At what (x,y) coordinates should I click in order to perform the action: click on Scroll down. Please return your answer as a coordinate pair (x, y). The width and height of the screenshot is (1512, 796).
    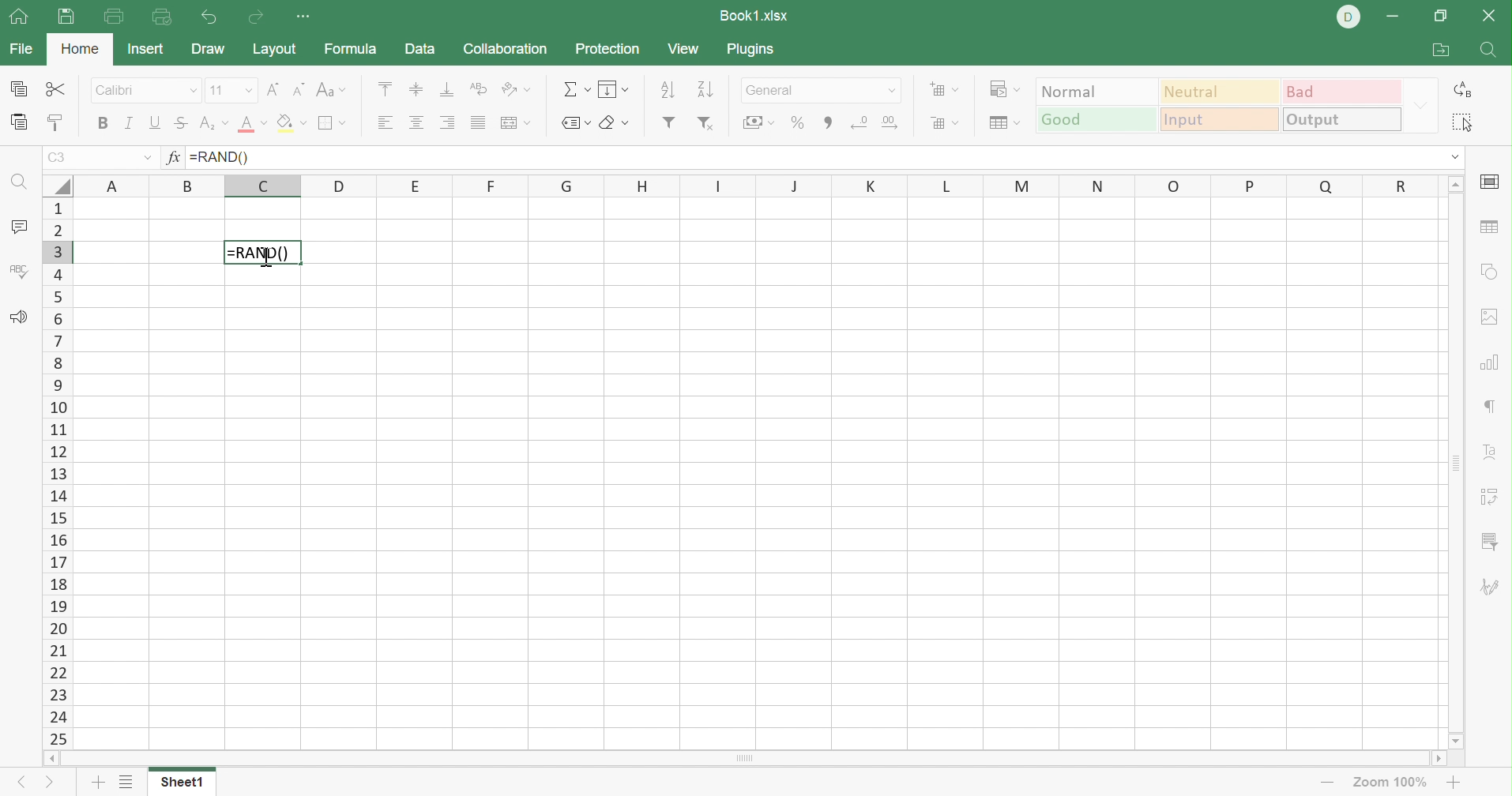
    Looking at the image, I should click on (1458, 742).